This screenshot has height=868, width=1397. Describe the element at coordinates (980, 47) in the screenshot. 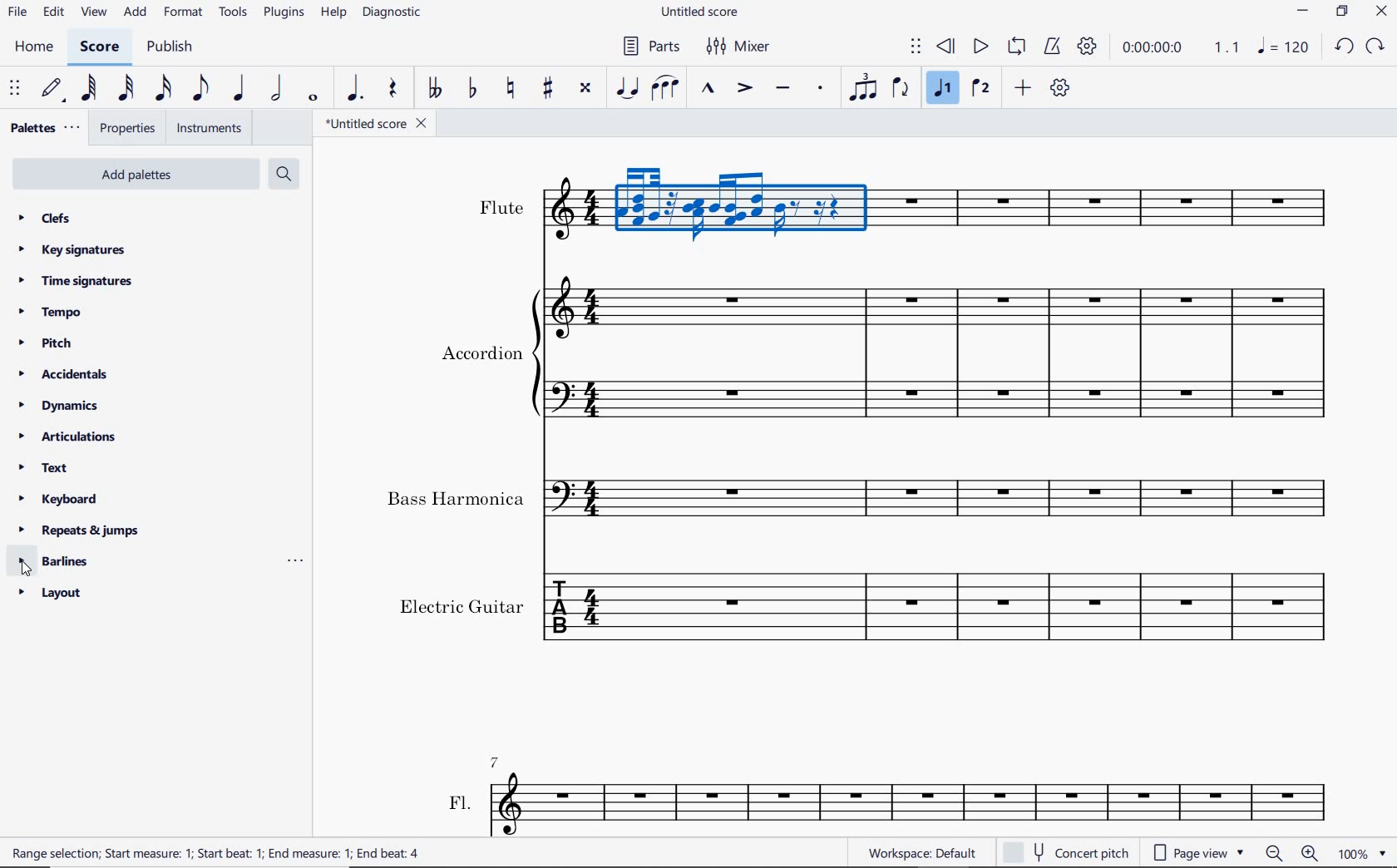

I see `play` at that location.